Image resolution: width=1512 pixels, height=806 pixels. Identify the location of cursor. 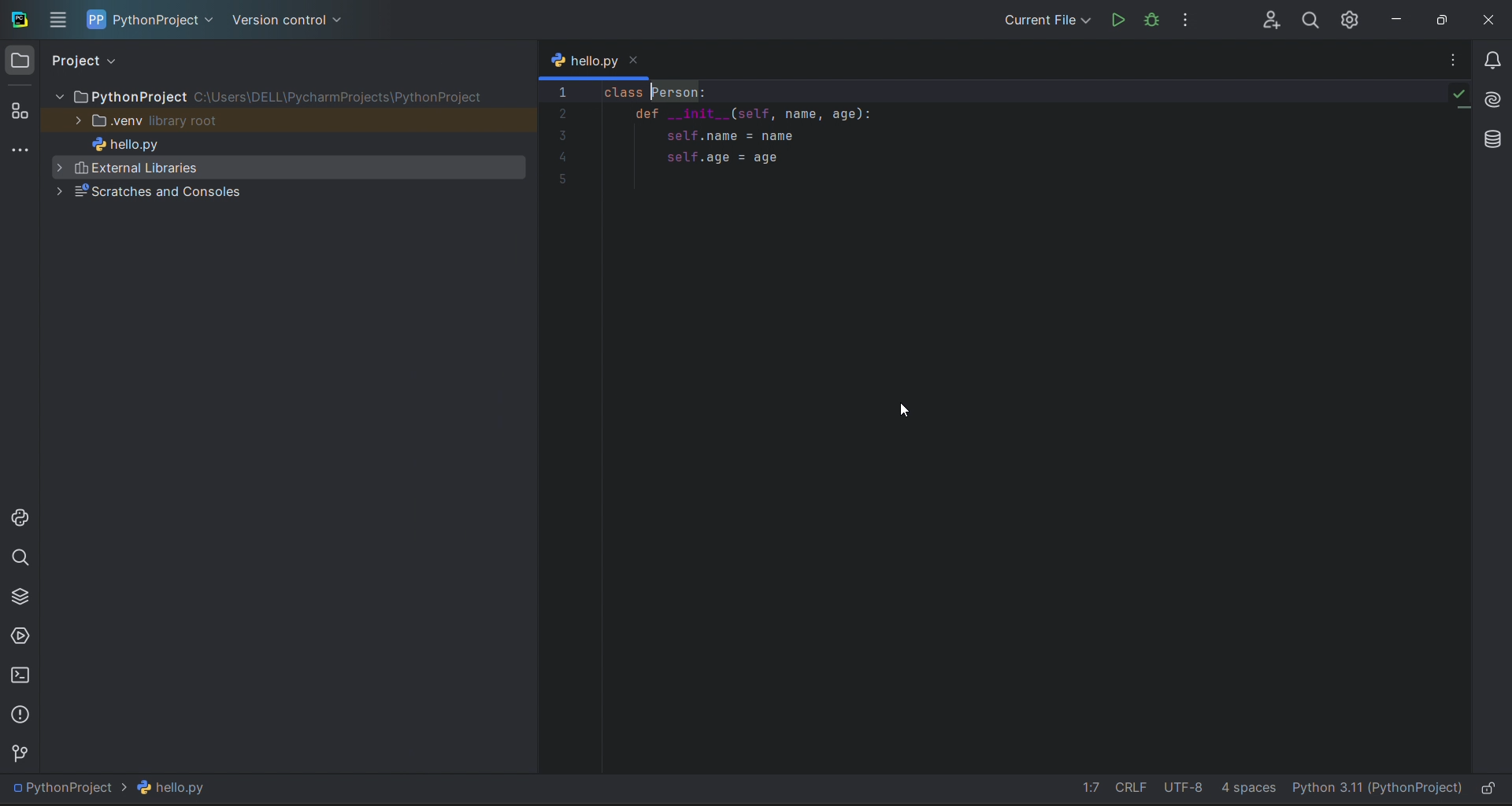
(902, 408).